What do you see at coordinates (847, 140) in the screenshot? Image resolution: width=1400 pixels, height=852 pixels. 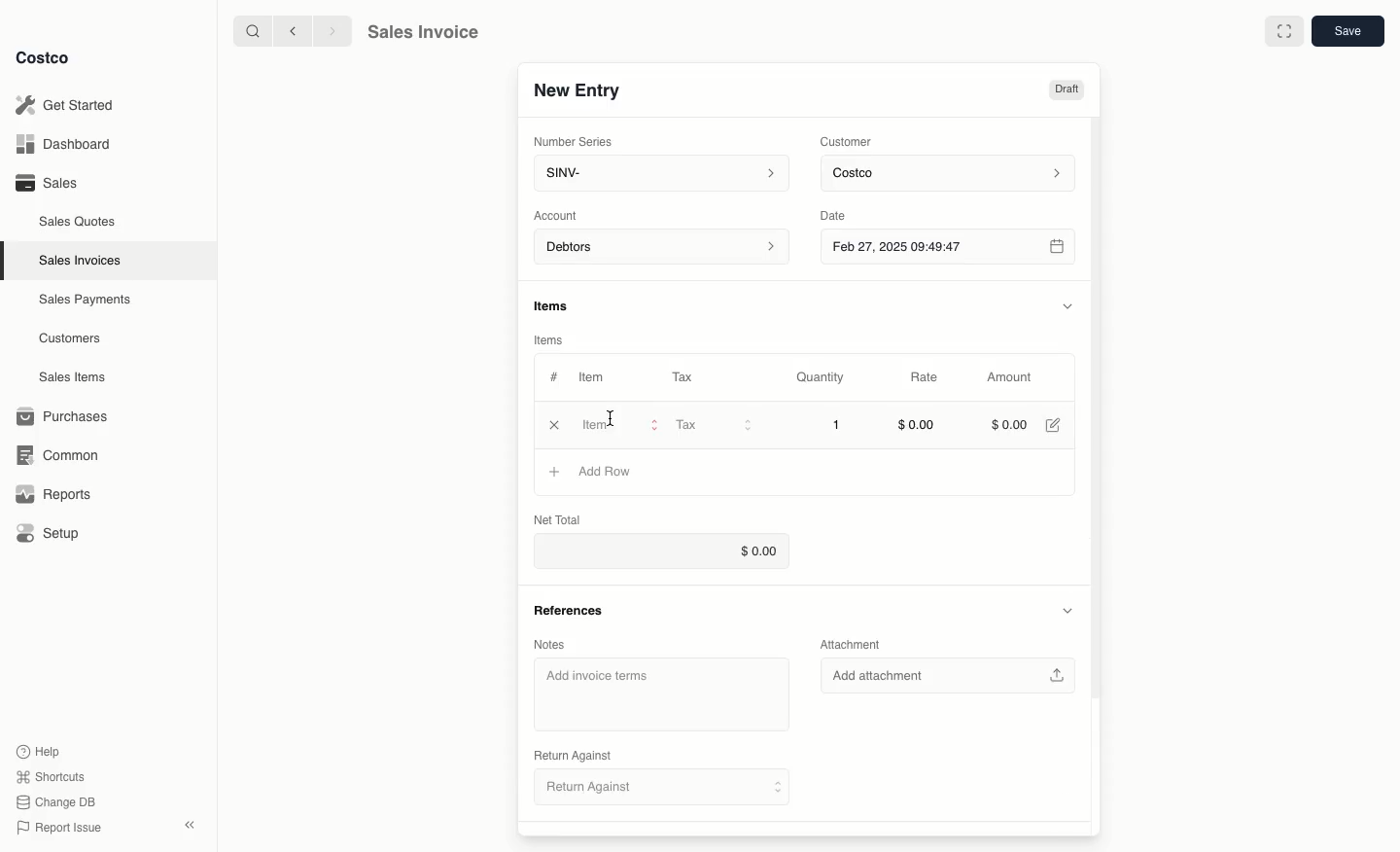 I see `Customer` at bounding box center [847, 140].